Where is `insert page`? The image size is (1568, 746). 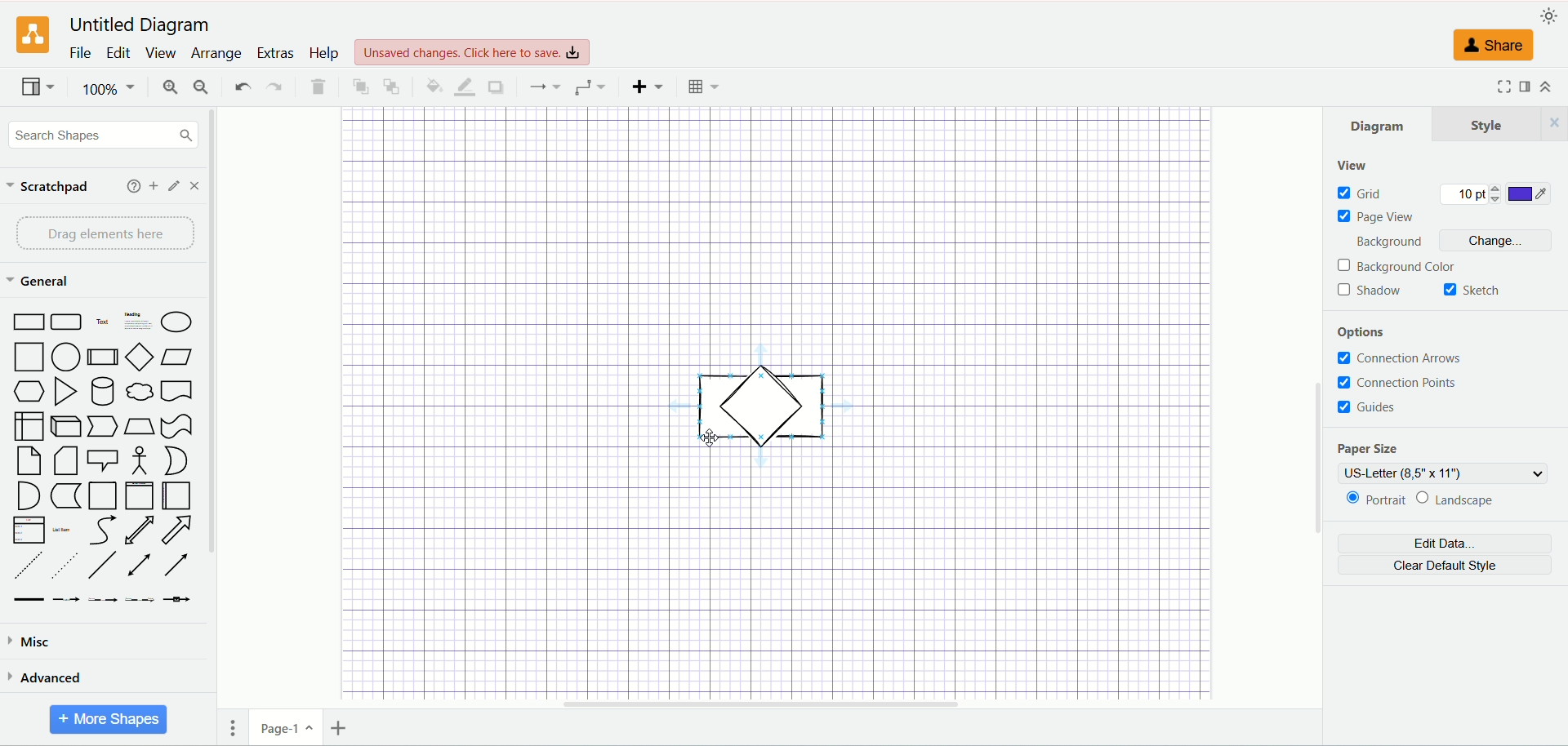
insert page is located at coordinates (344, 728).